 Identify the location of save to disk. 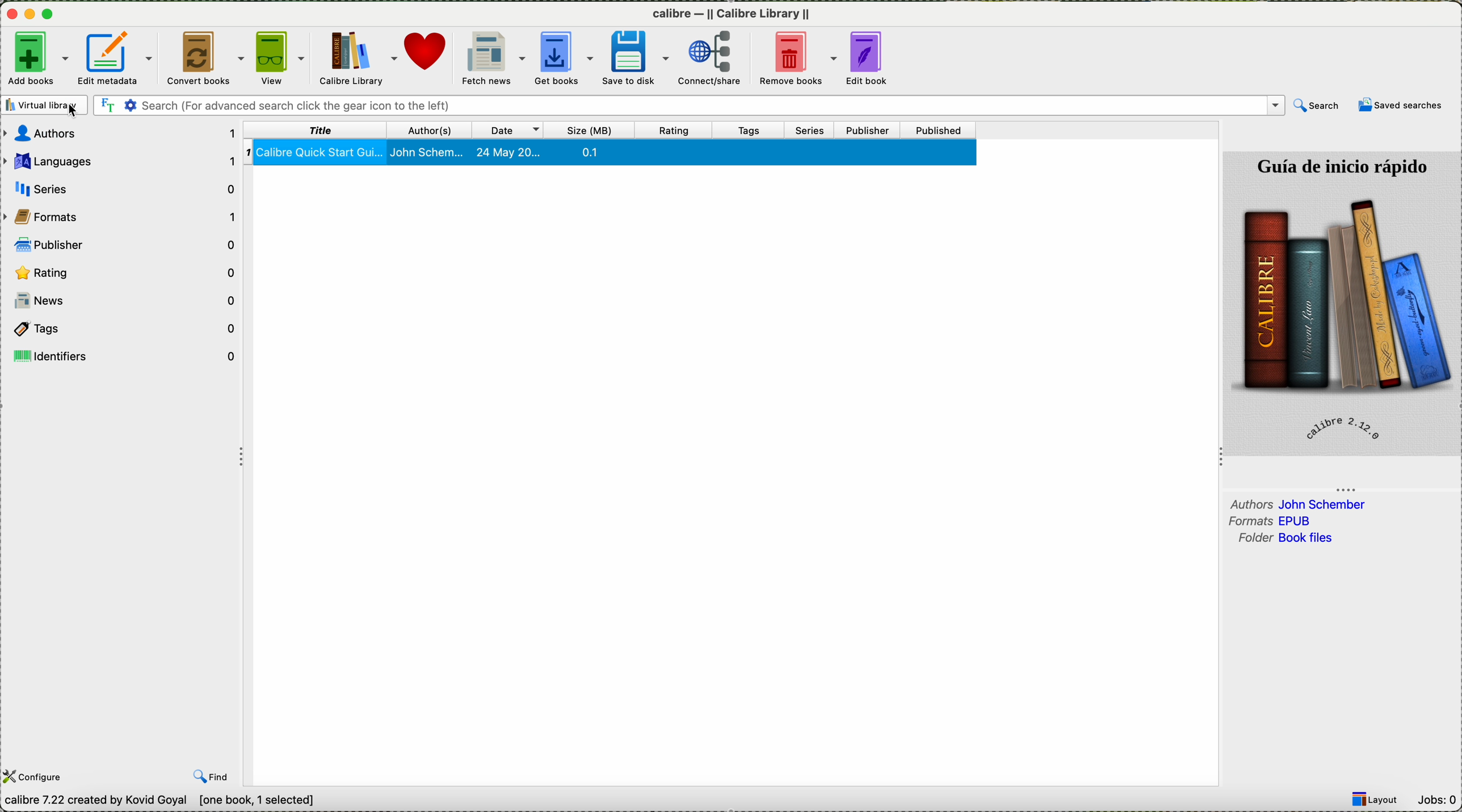
(640, 57).